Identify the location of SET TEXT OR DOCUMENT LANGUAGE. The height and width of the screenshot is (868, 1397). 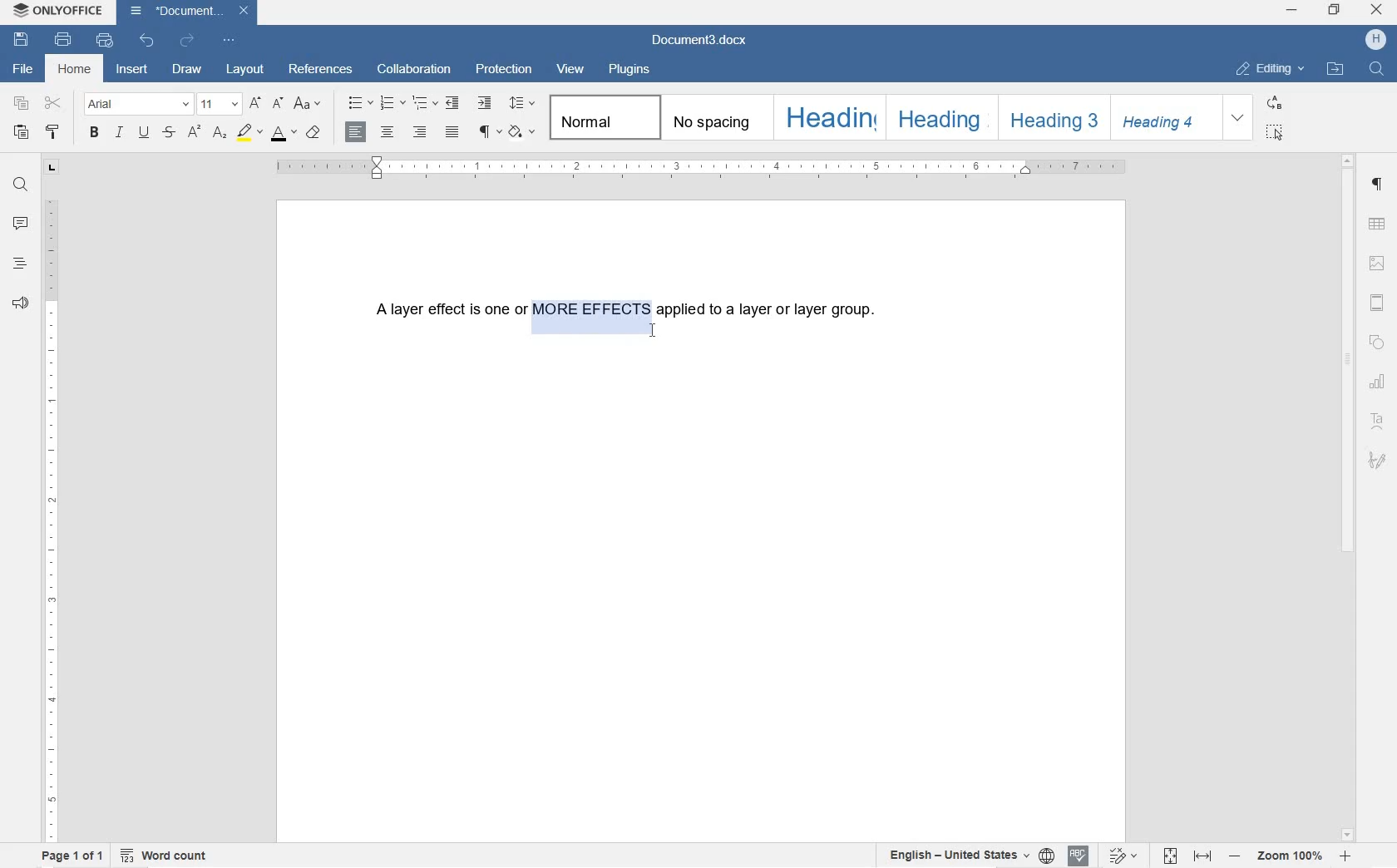
(966, 856).